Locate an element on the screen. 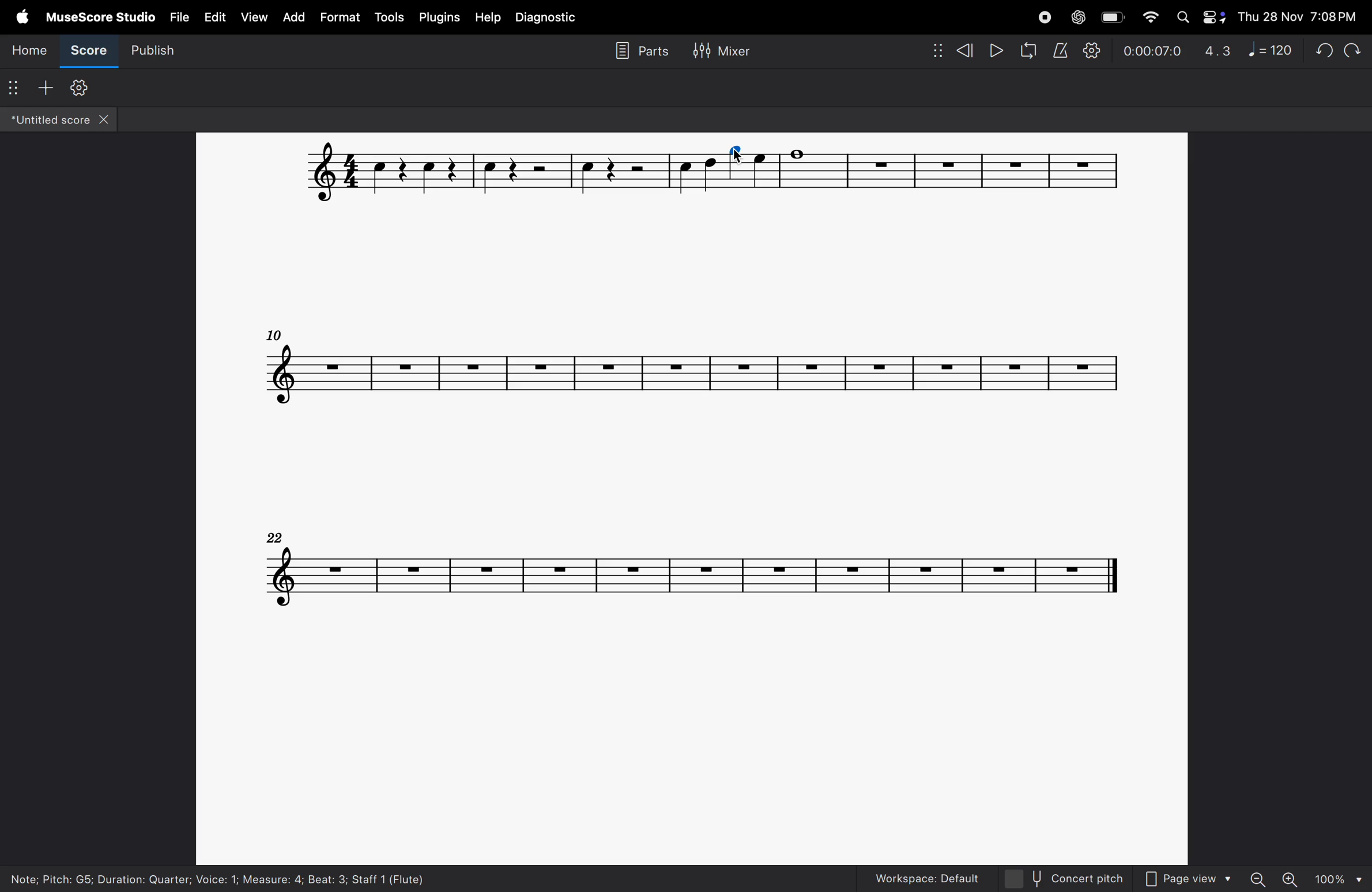 This screenshot has height=892, width=1372. notes is located at coordinates (703, 372).